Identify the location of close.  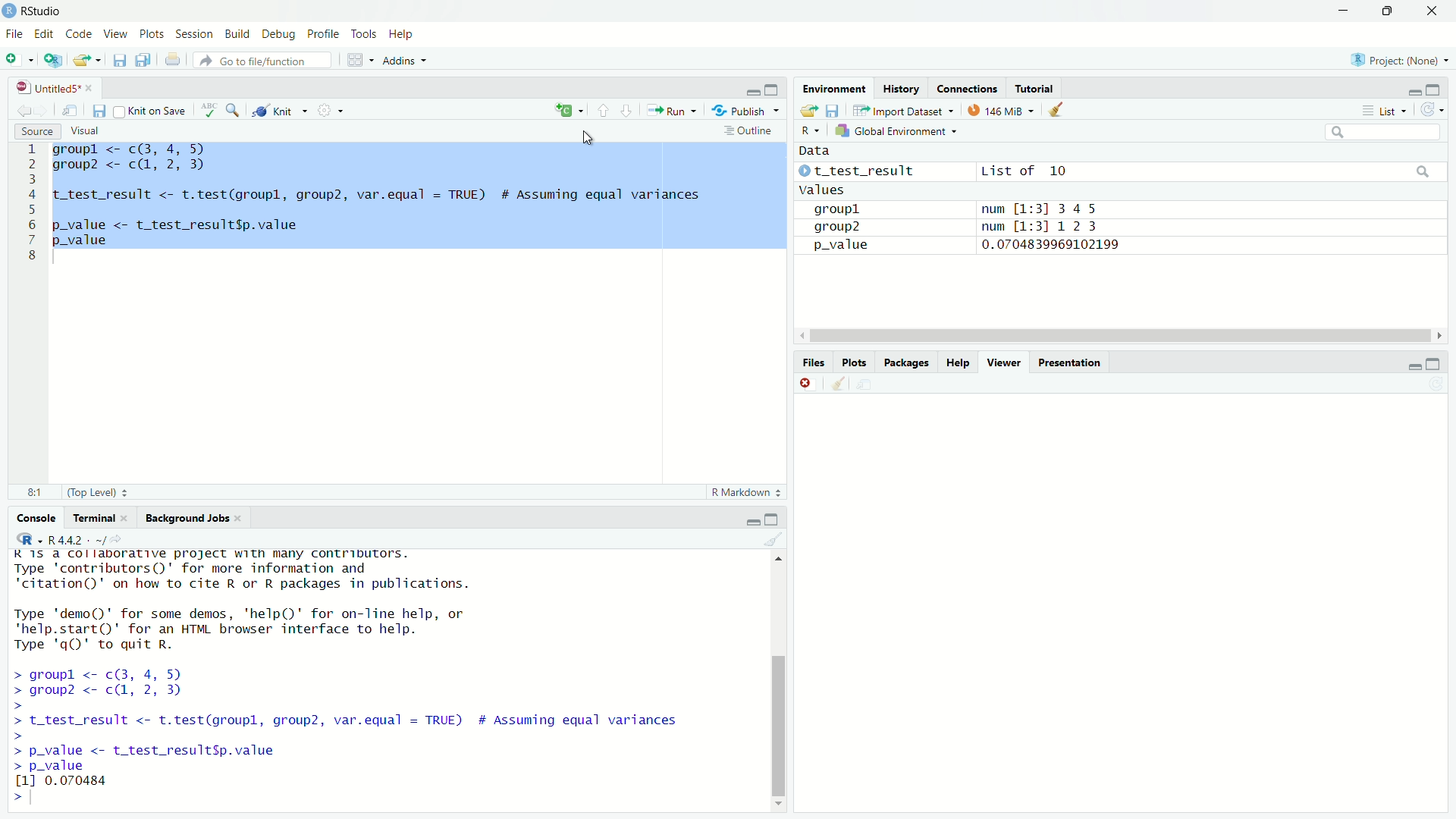
(1428, 11).